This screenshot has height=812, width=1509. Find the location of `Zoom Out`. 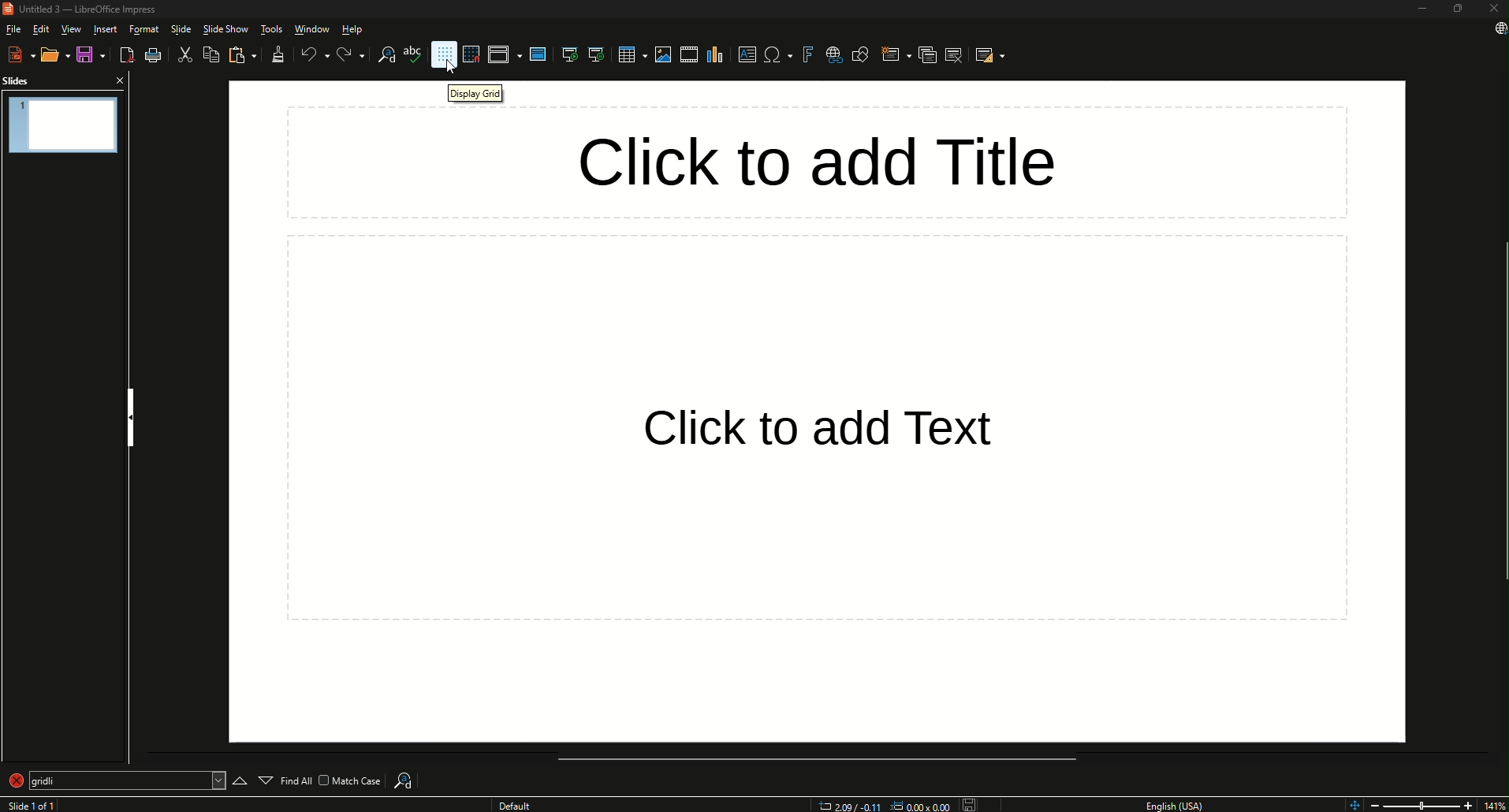

Zoom Out is located at coordinates (1375, 804).